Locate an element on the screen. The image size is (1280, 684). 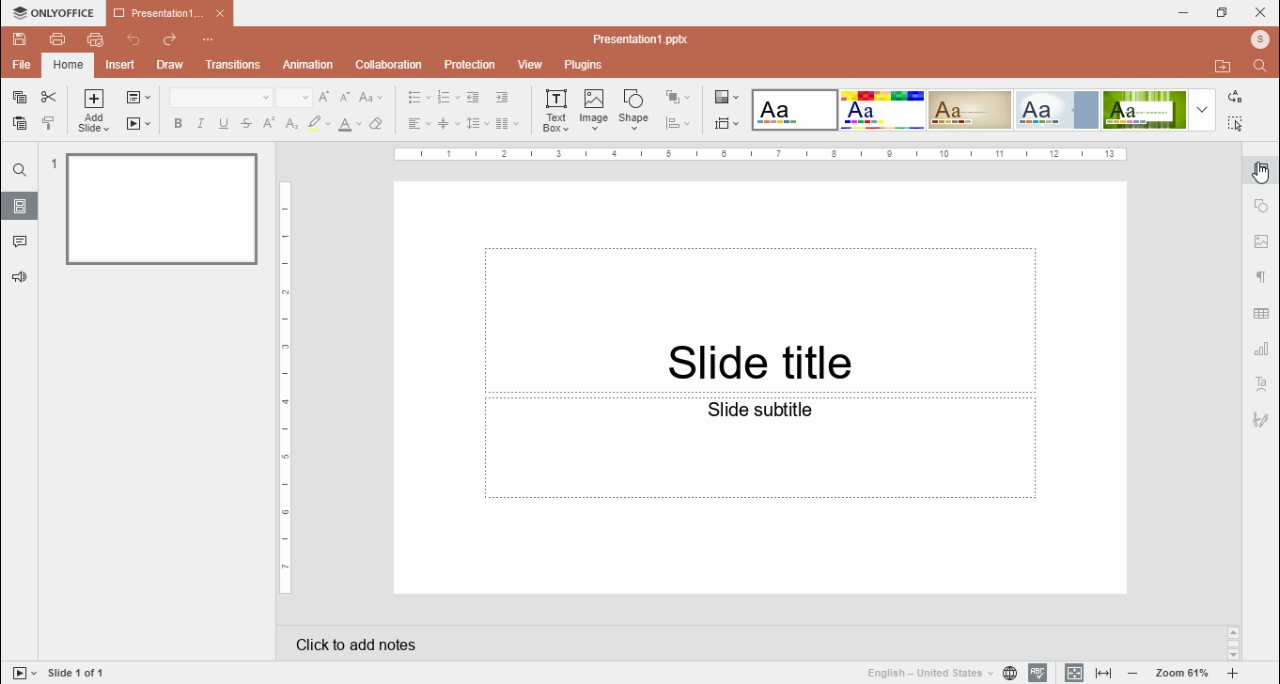
subscript is located at coordinates (291, 124).